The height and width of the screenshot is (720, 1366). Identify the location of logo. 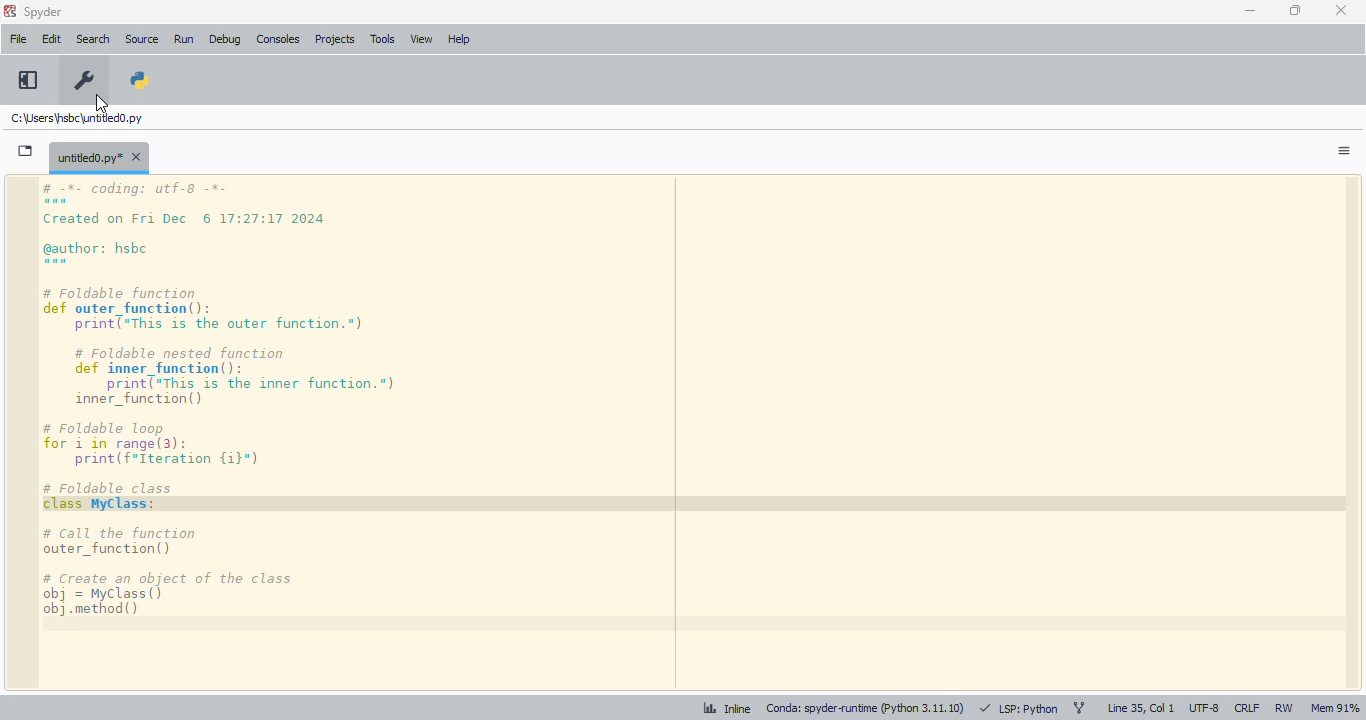
(9, 11).